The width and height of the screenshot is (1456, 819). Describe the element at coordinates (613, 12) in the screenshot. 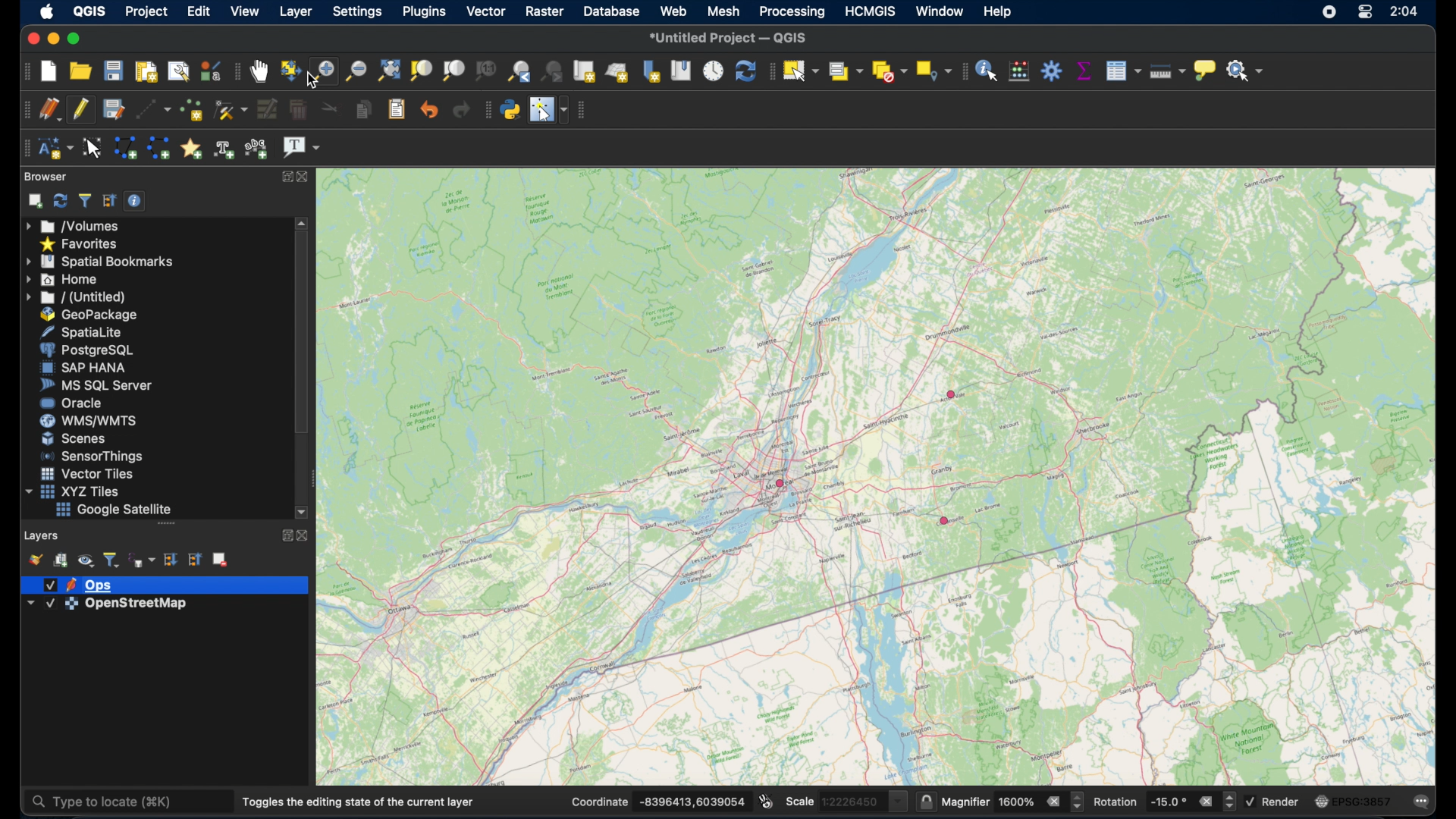

I see `database` at that location.